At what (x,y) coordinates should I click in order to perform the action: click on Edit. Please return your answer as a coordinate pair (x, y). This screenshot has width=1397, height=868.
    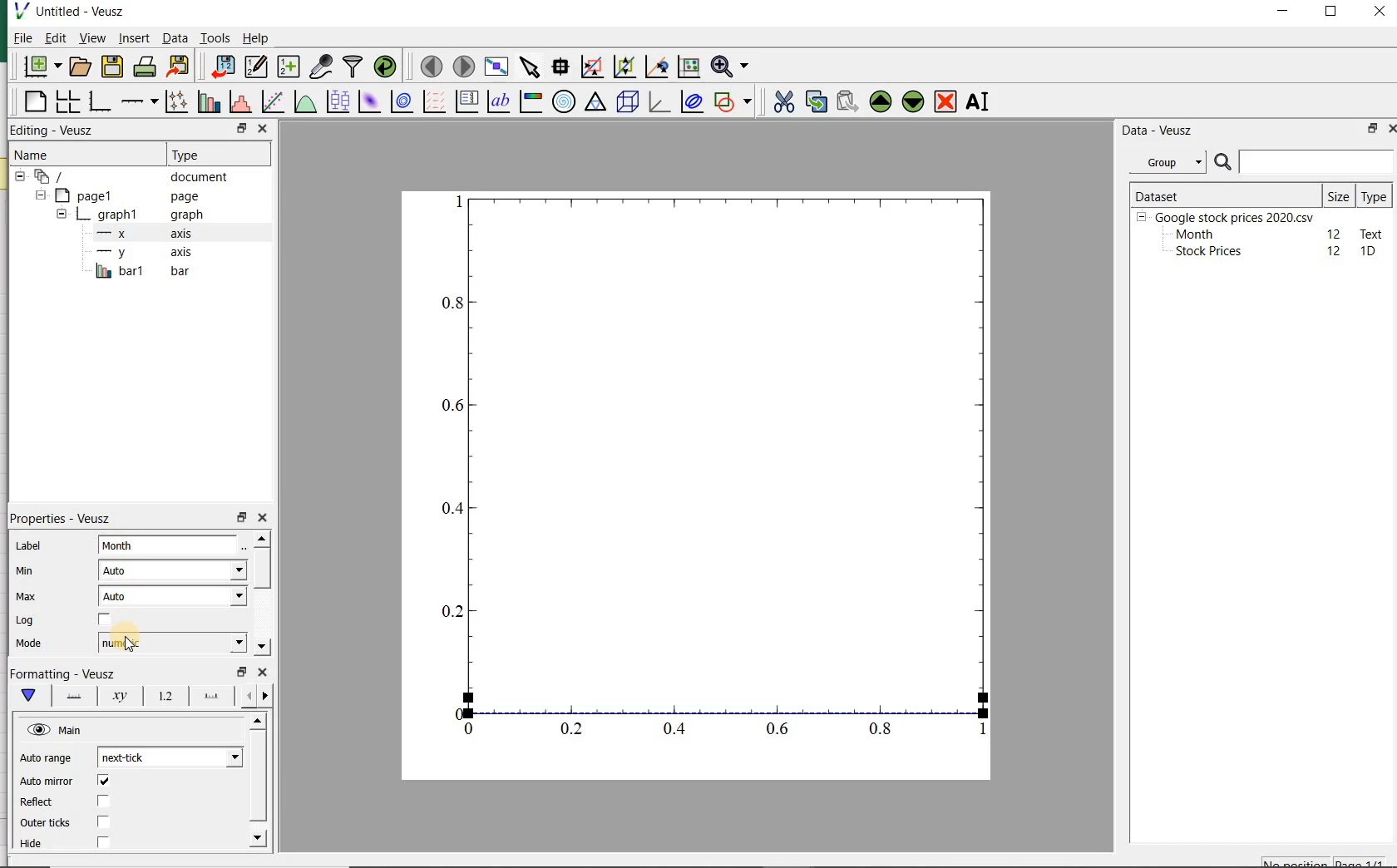
    Looking at the image, I should click on (54, 37).